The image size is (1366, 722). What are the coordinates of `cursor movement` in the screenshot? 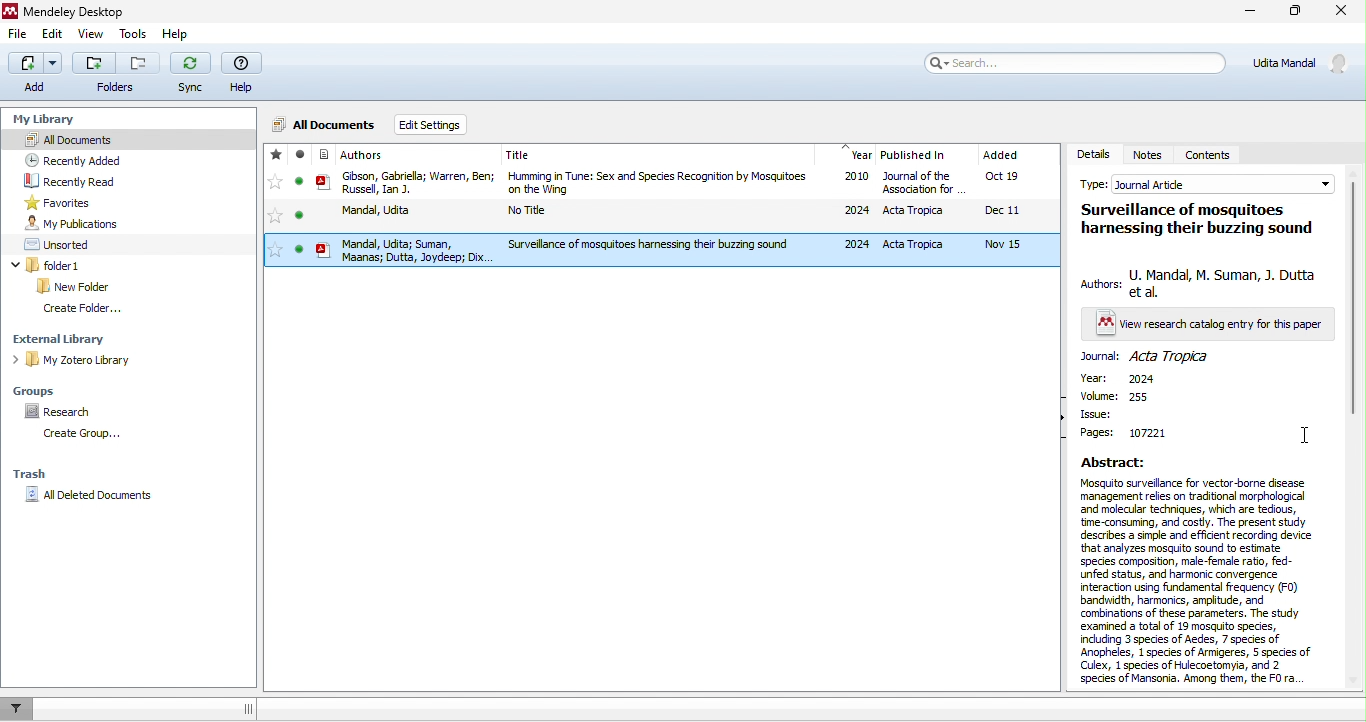 It's located at (1304, 439).